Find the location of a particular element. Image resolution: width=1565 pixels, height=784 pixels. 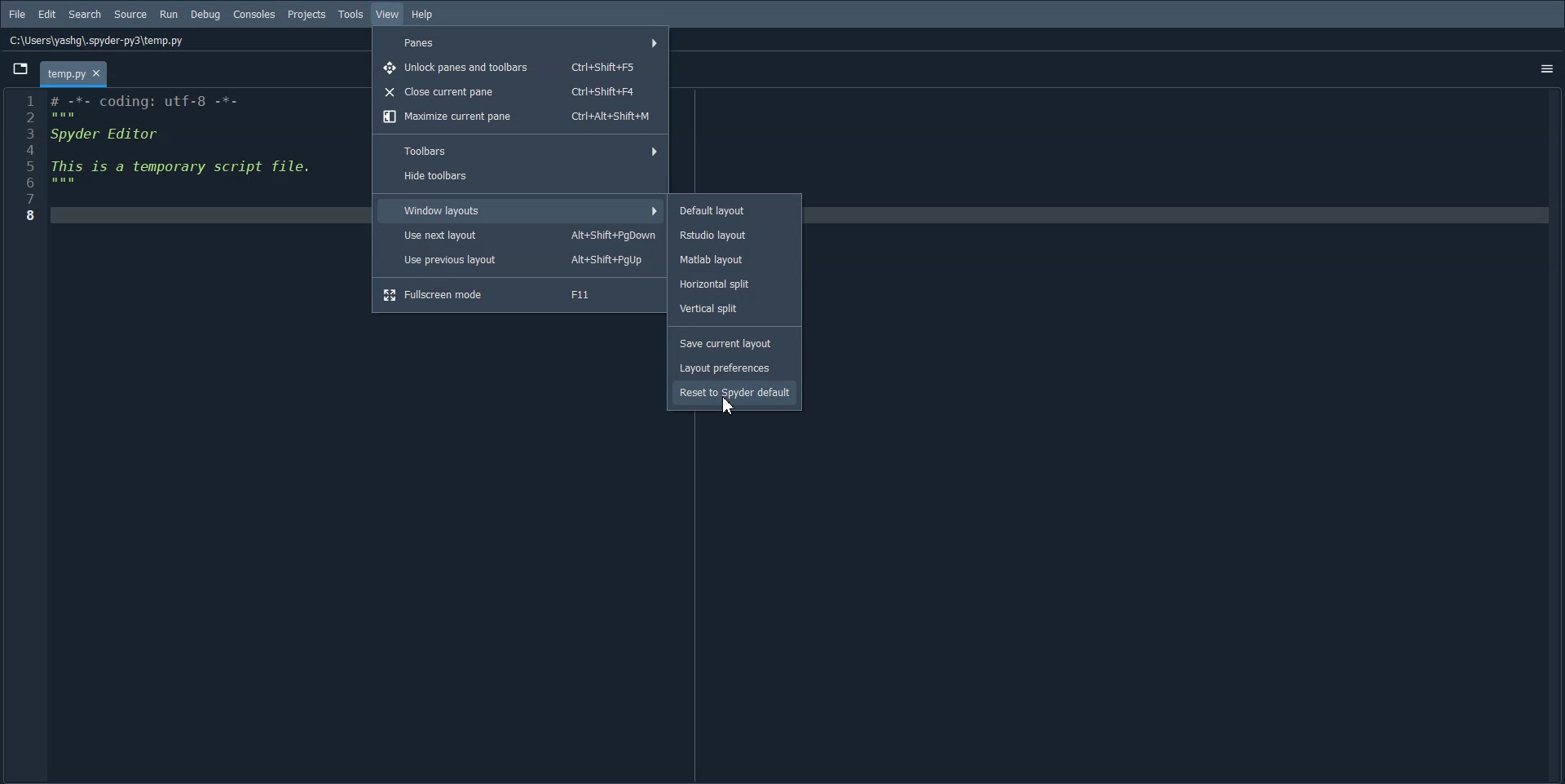

Save current layout is located at coordinates (731, 344).